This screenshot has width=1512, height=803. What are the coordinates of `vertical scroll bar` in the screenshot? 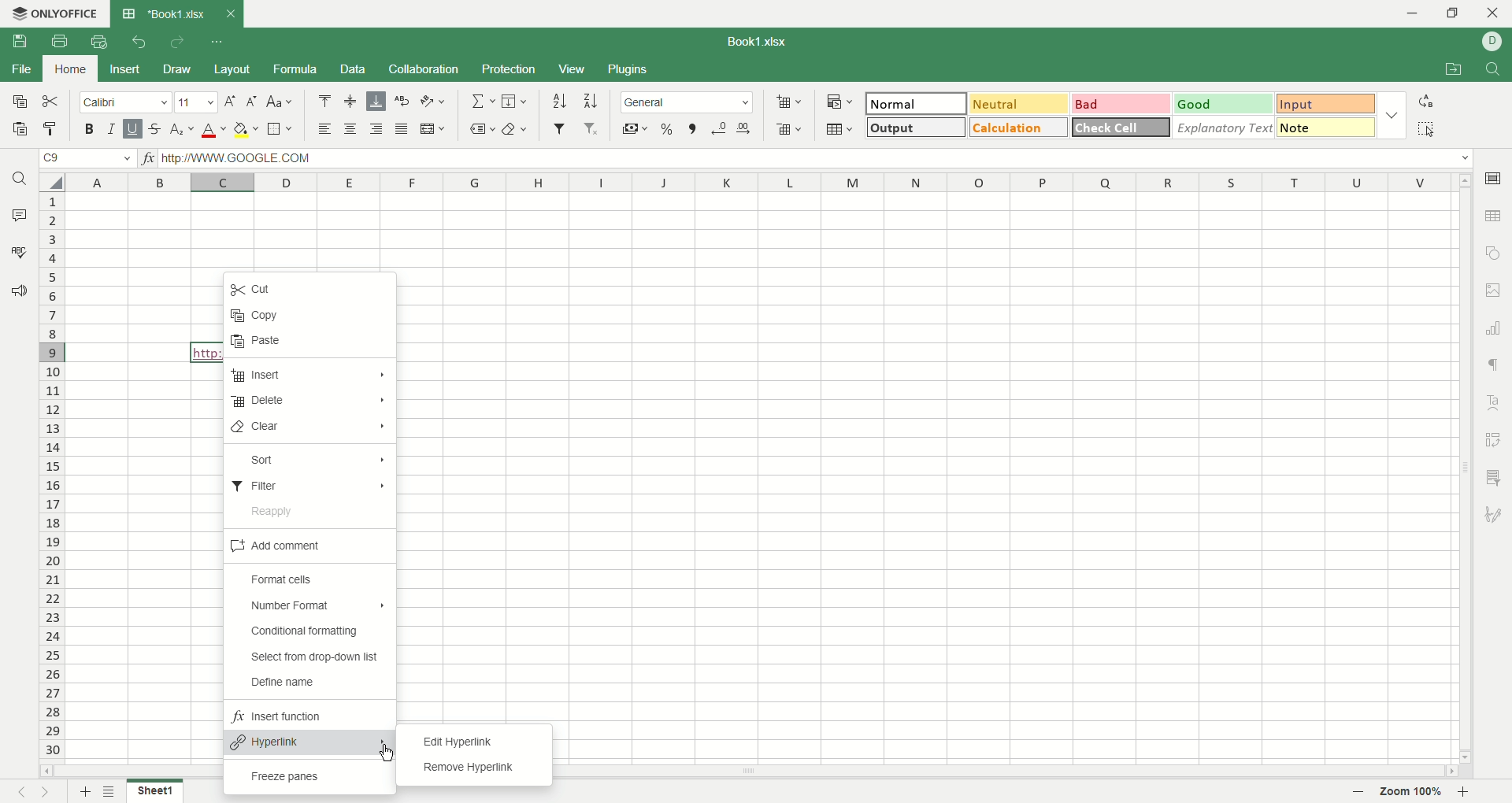 It's located at (1466, 468).